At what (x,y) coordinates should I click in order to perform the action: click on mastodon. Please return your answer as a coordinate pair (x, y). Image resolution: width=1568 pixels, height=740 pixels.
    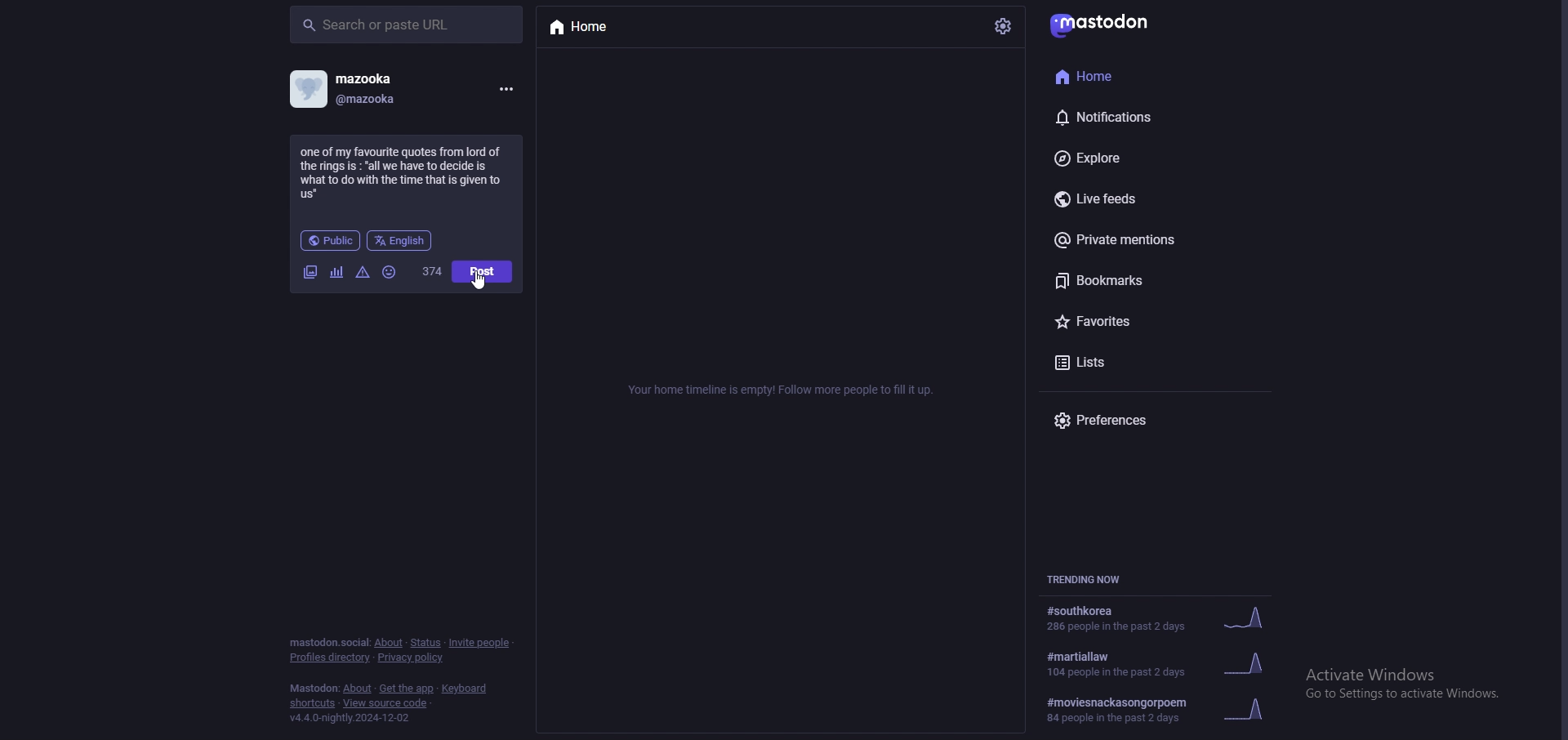
    Looking at the image, I should click on (1112, 25).